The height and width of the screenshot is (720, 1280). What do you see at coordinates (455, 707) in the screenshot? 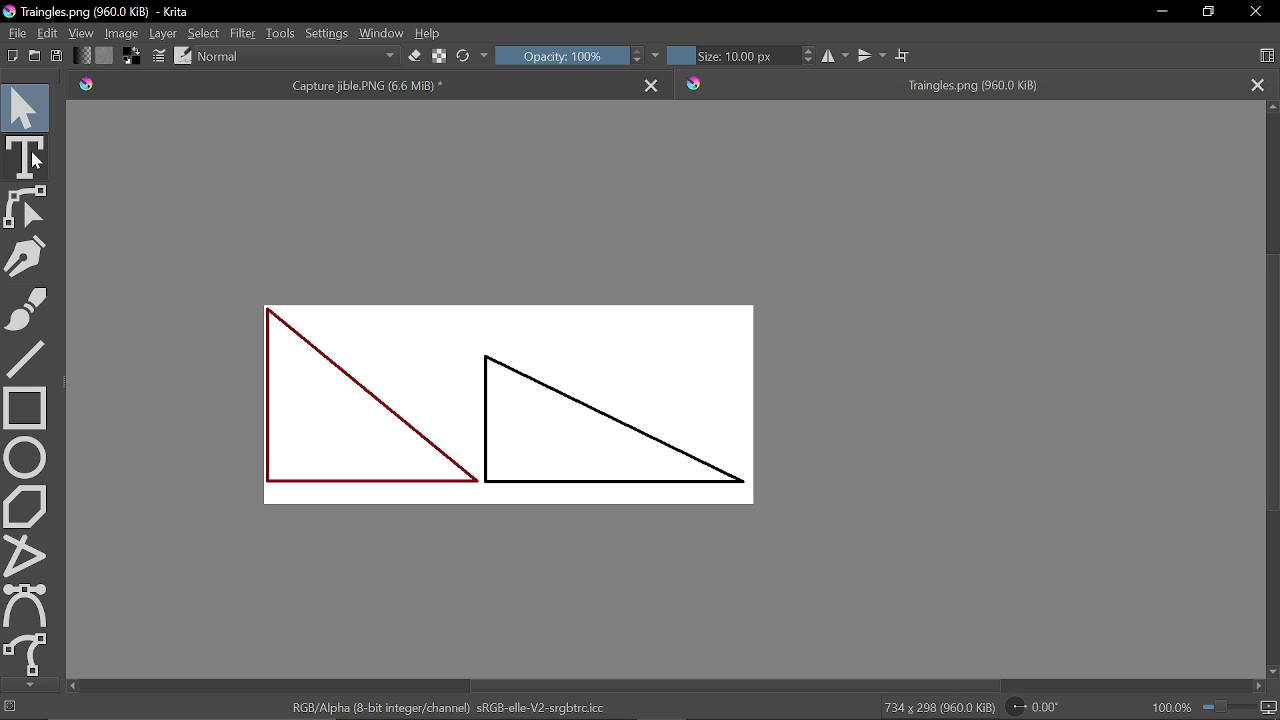
I see `RGB/Alpha (8 - bit integer/channel) sRGB` at bounding box center [455, 707].